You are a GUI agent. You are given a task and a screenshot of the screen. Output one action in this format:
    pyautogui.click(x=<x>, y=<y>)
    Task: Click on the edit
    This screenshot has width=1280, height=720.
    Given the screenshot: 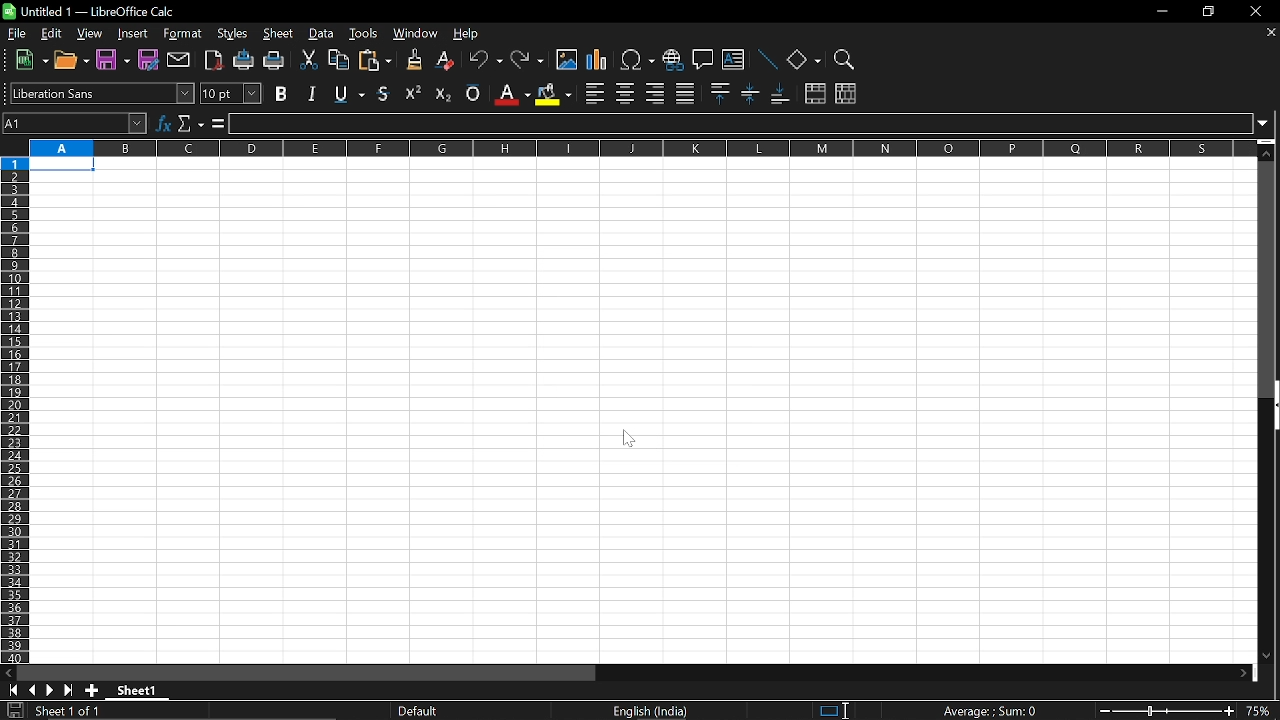 What is the action you would take?
    pyautogui.click(x=51, y=34)
    